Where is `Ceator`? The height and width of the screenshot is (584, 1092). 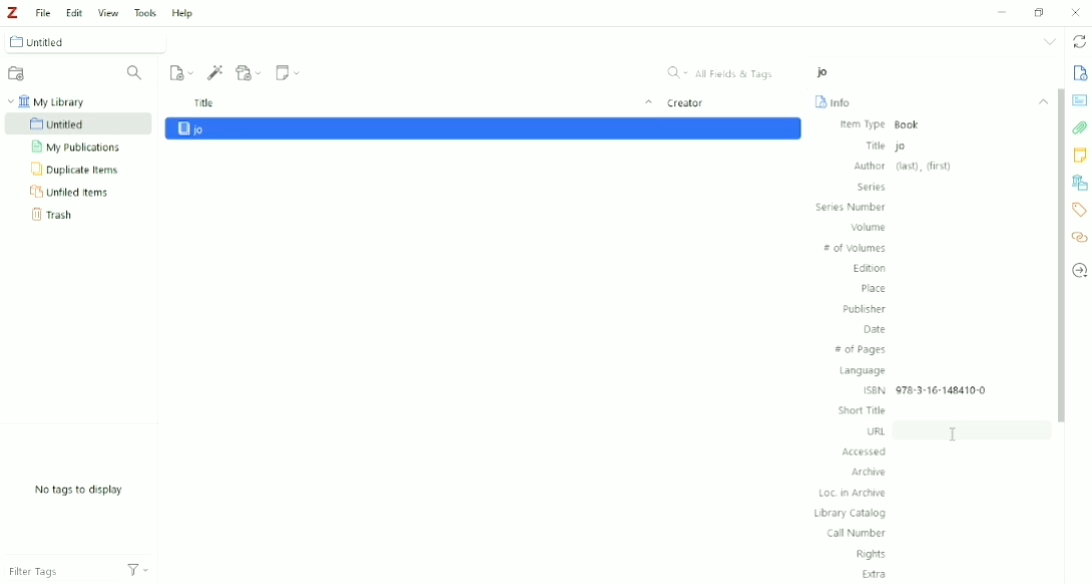 Ceator is located at coordinates (689, 102).